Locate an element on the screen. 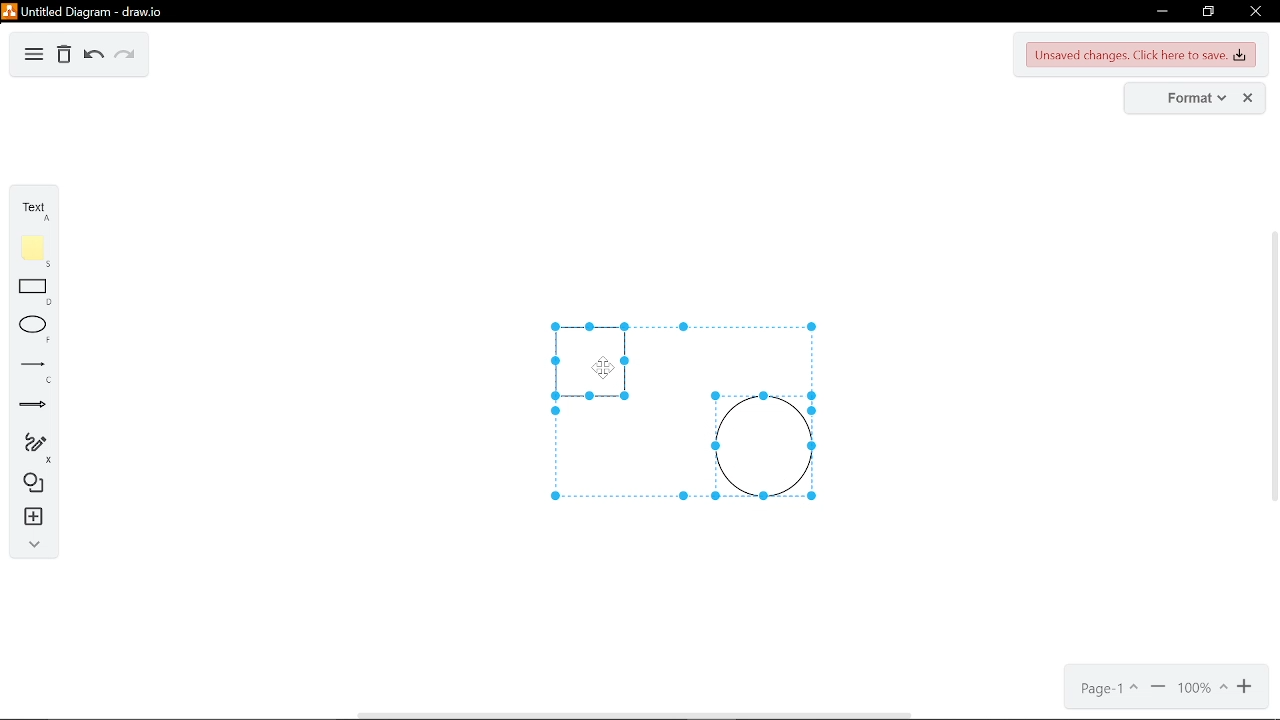 This screenshot has height=720, width=1280. untitled duagram - draw.io is located at coordinates (91, 12).